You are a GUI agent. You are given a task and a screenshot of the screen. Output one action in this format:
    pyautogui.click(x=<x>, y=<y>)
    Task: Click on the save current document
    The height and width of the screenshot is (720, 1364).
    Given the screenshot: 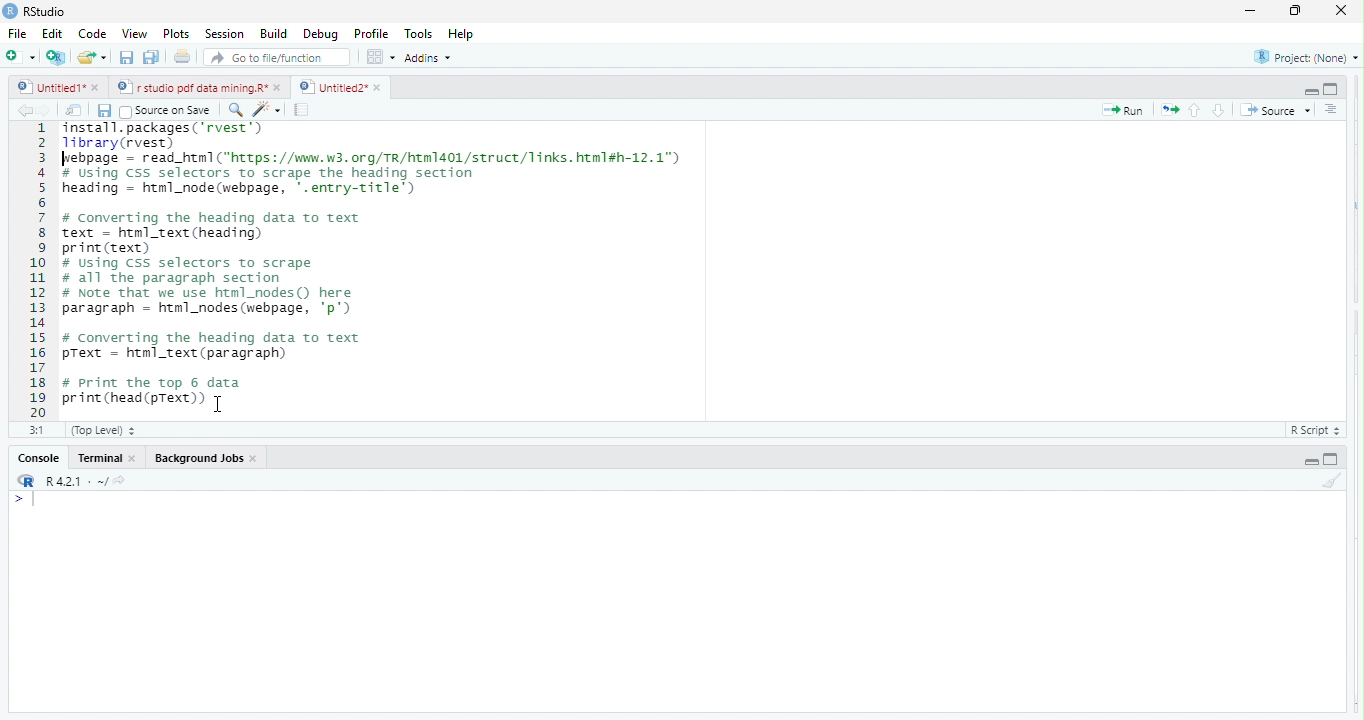 What is the action you would take?
    pyautogui.click(x=126, y=58)
    